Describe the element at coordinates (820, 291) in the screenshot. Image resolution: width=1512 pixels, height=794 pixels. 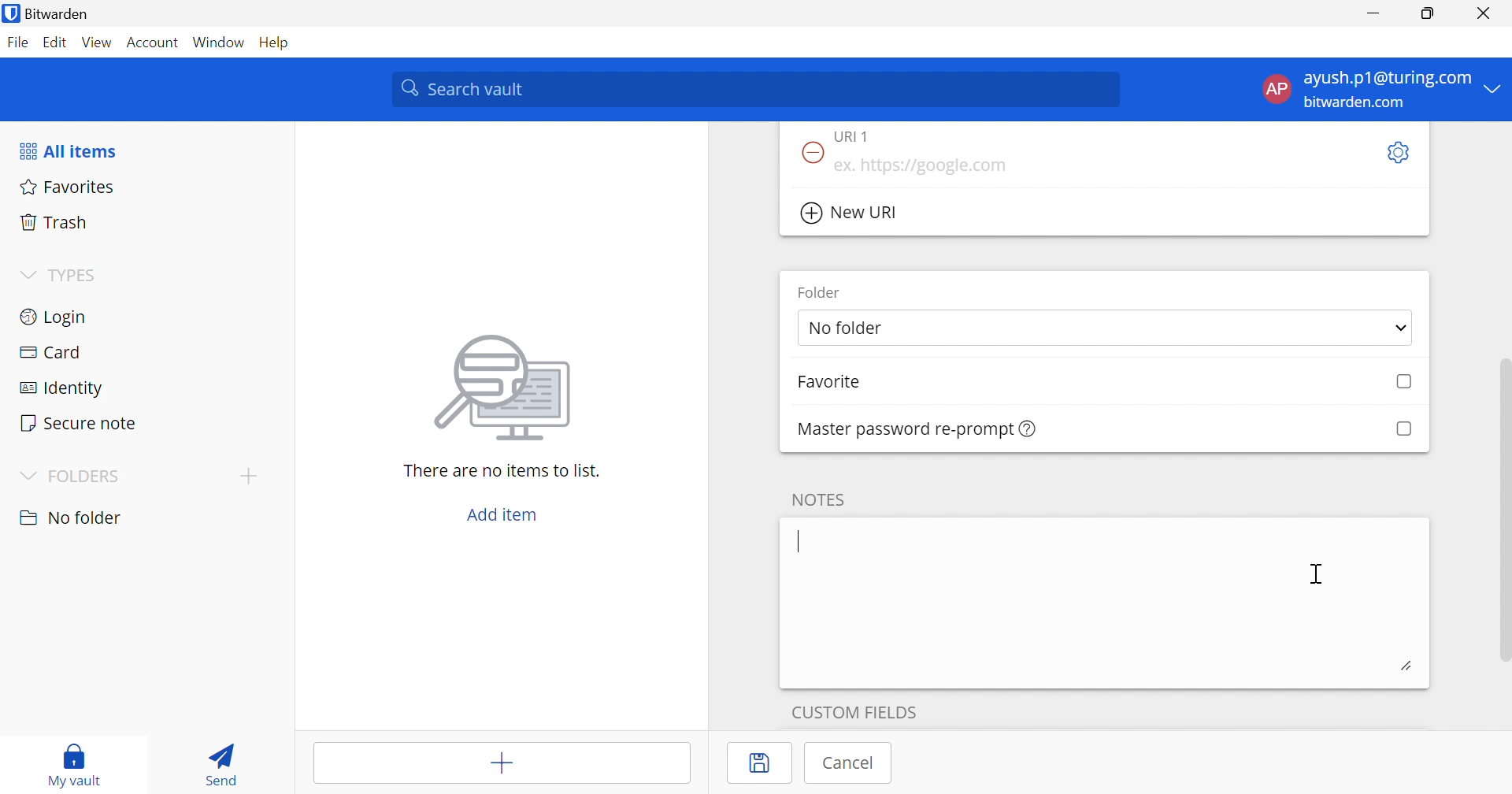
I see `Folder` at that location.